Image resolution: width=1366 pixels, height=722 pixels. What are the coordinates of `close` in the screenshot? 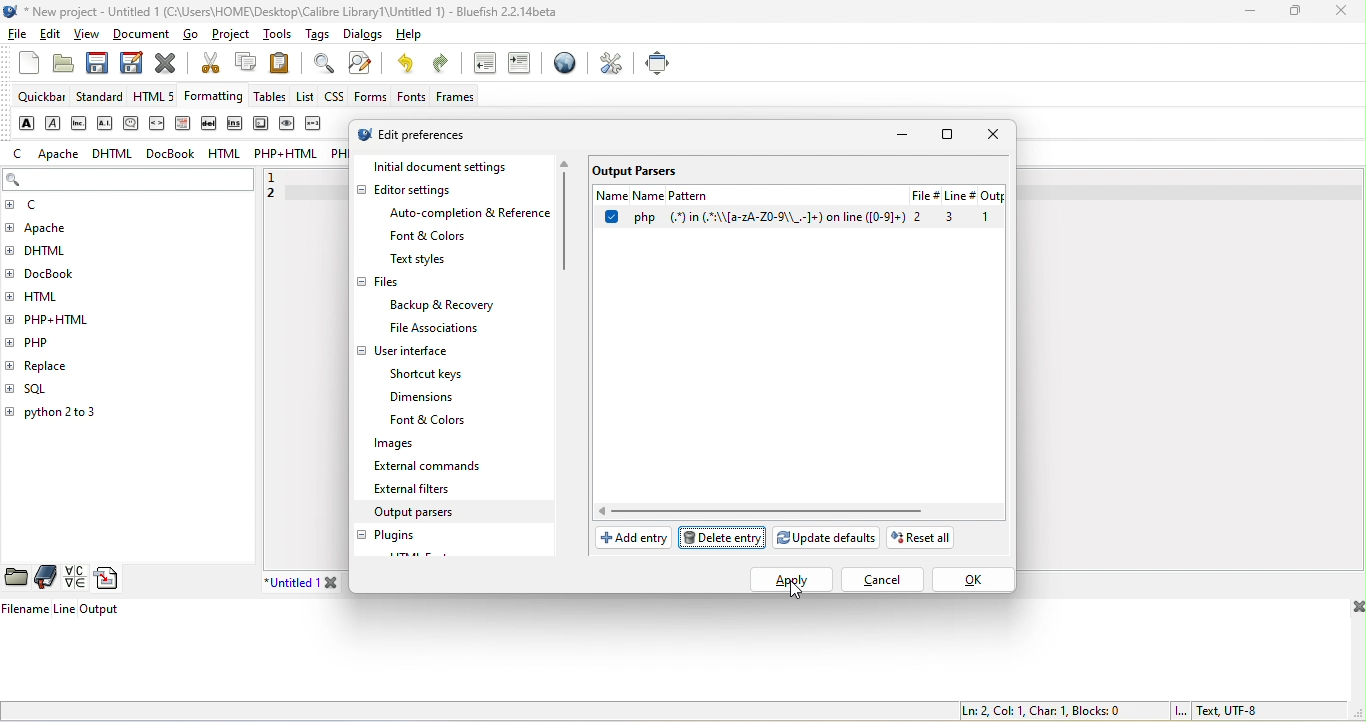 It's located at (1355, 609).